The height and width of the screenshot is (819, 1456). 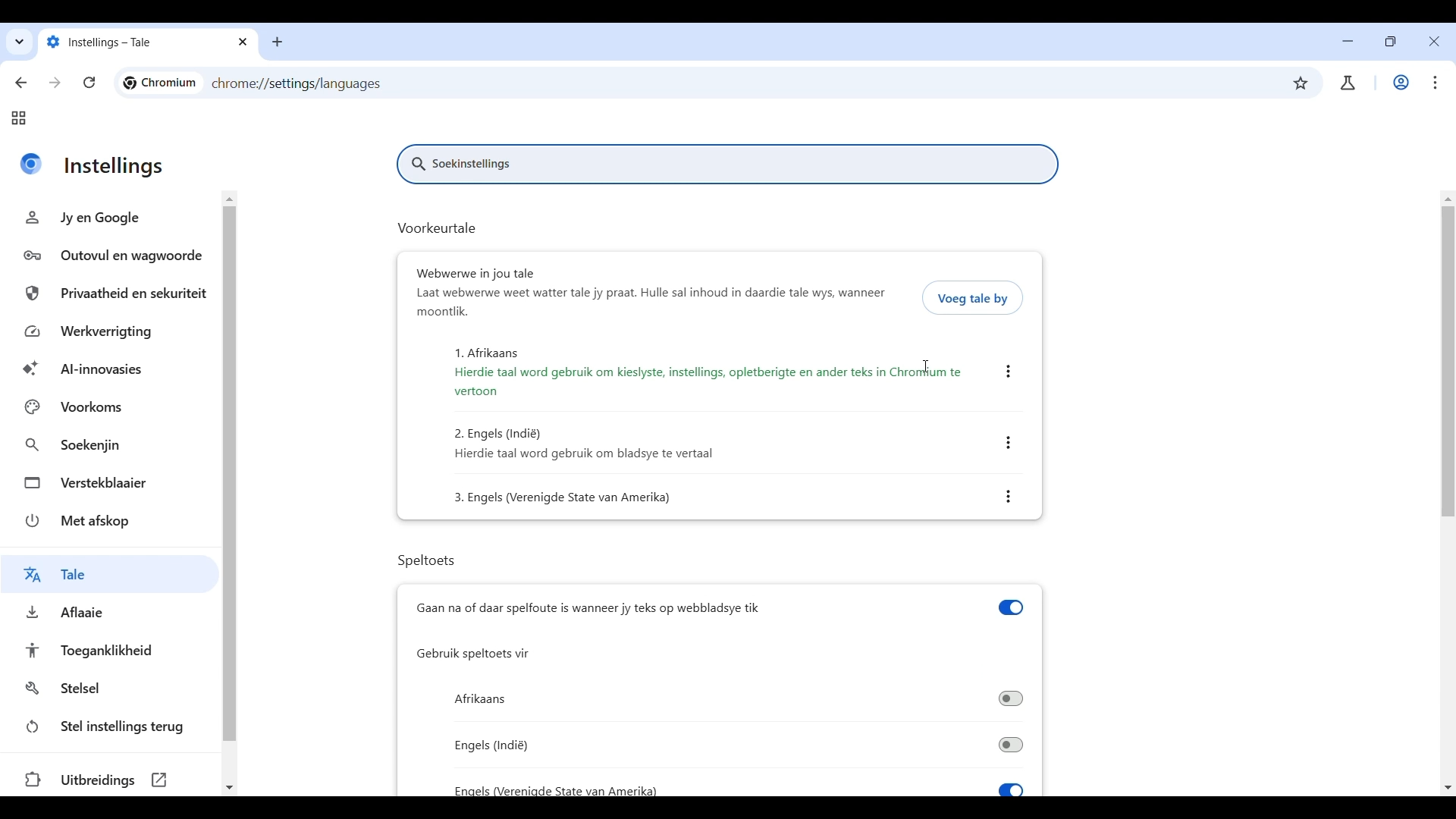 I want to click on close tab, so click(x=243, y=43).